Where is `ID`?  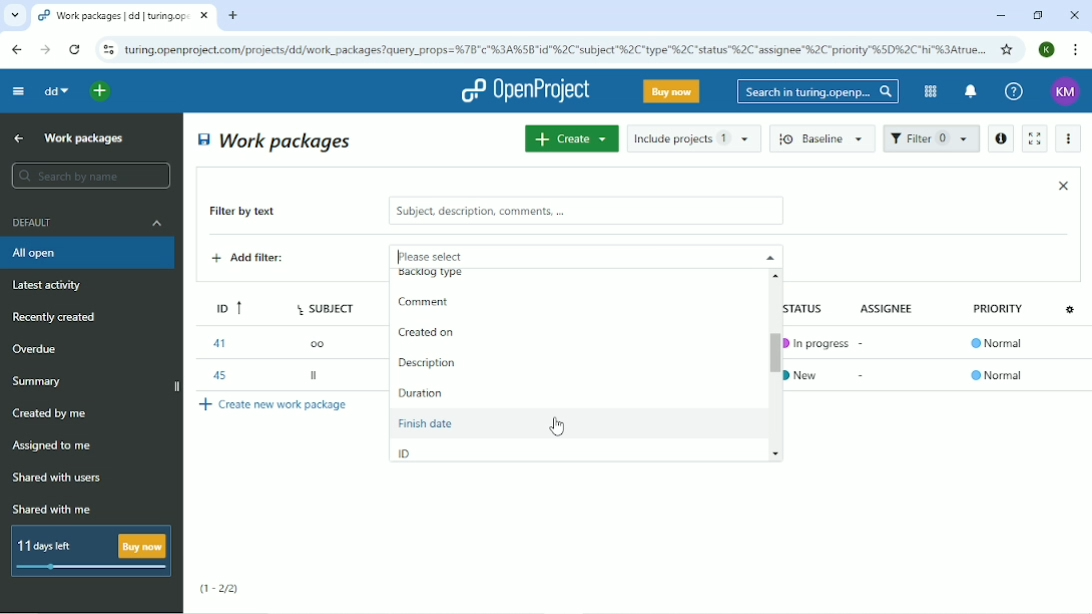
ID is located at coordinates (223, 305).